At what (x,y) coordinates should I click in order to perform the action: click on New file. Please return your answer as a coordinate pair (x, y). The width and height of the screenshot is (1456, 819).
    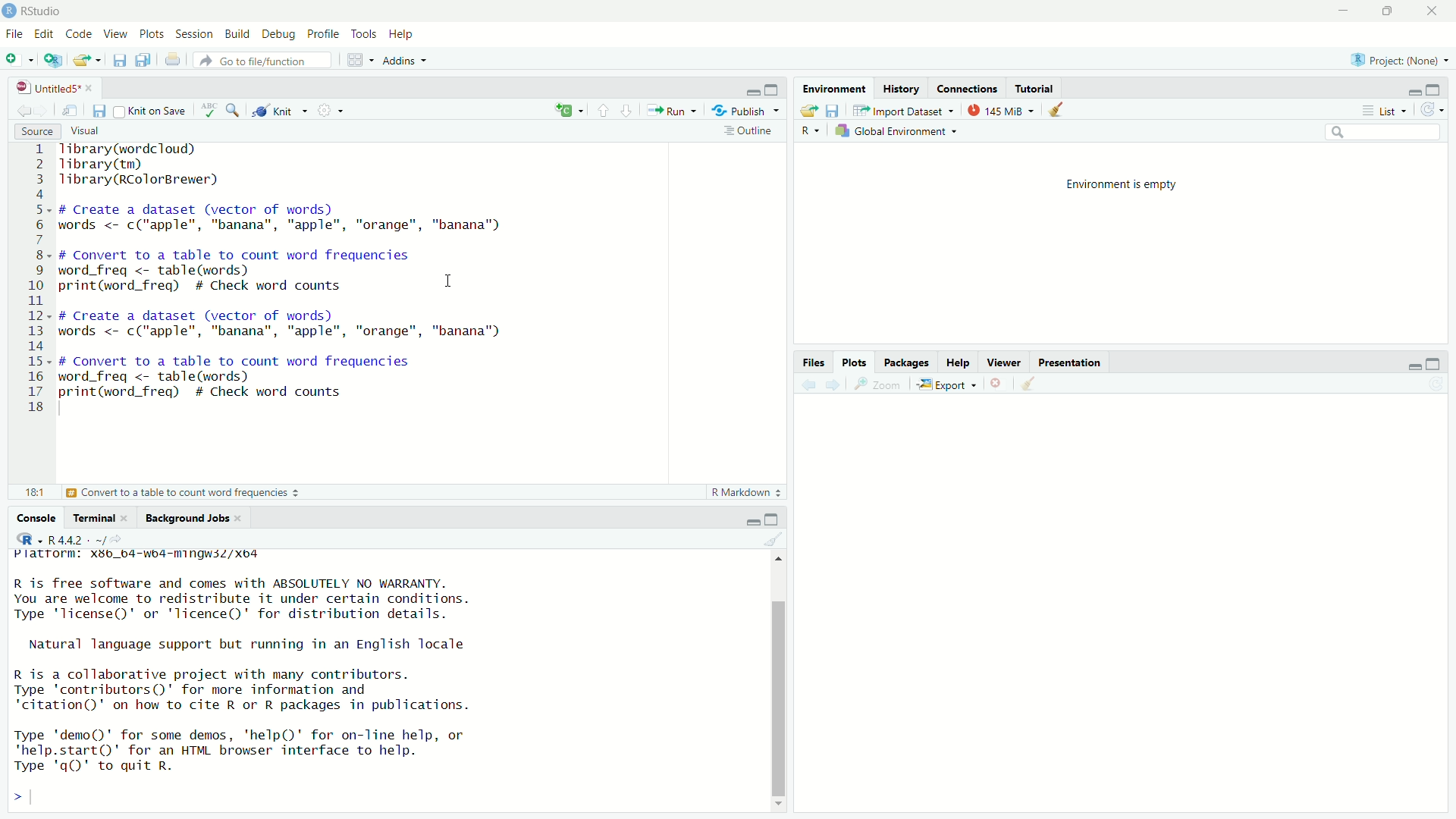
    Looking at the image, I should click on (20, 58).